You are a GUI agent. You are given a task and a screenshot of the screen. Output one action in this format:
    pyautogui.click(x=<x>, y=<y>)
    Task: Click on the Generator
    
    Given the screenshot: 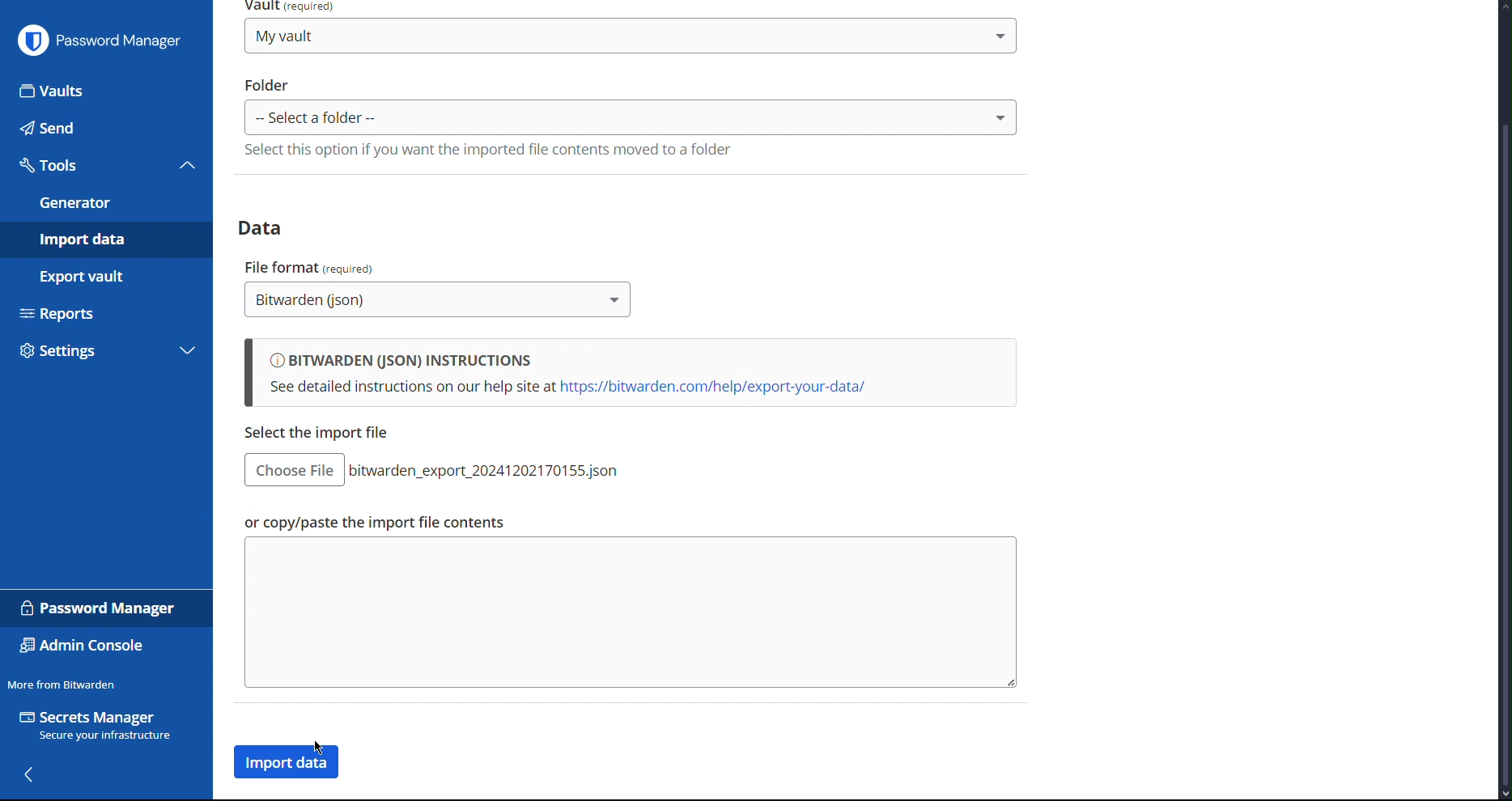 What is the action you would take?
    pyautogui.click(x=104, y=203)
    